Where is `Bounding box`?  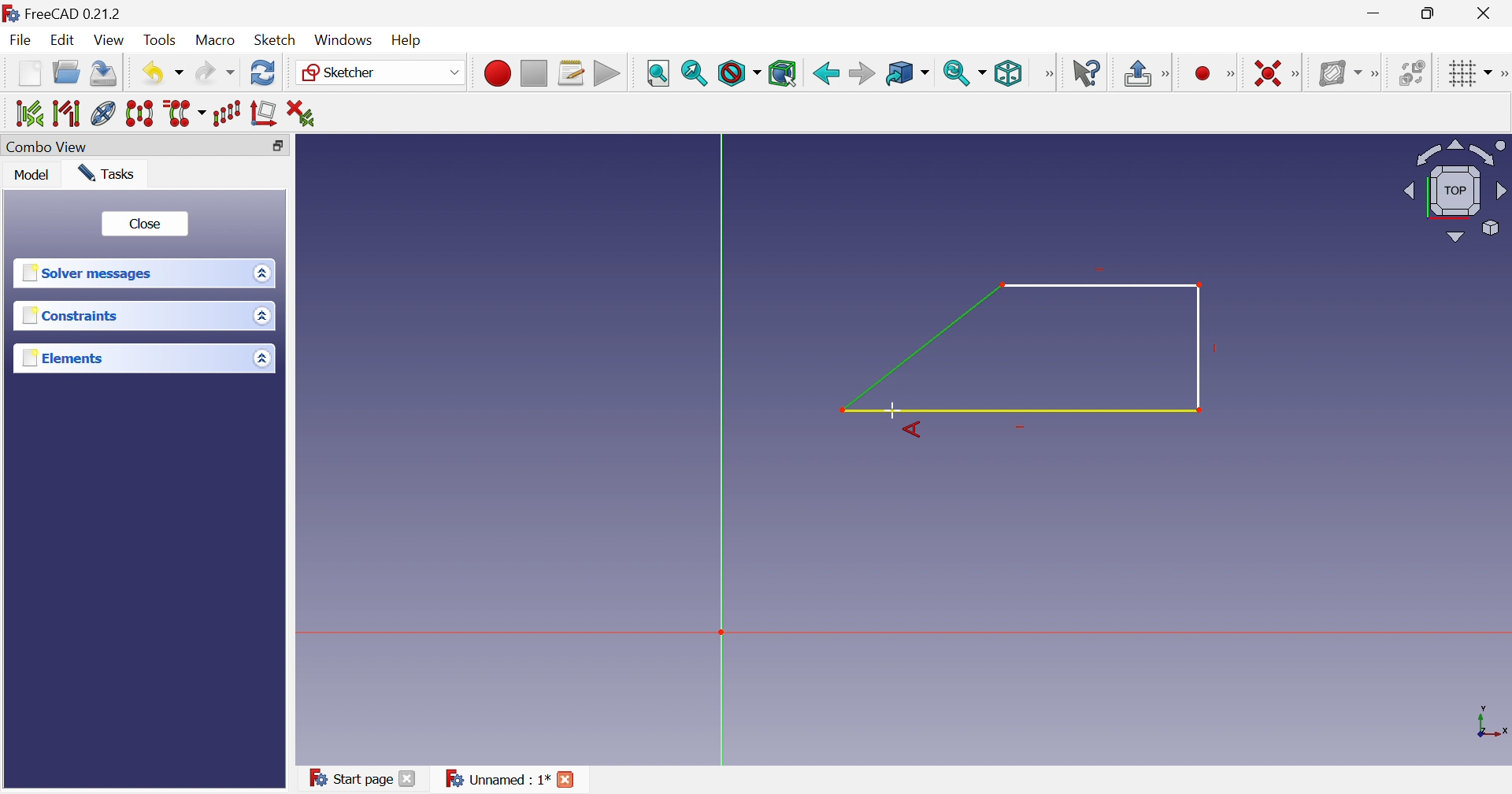
Bounding box is located at coordinates (784, 72).